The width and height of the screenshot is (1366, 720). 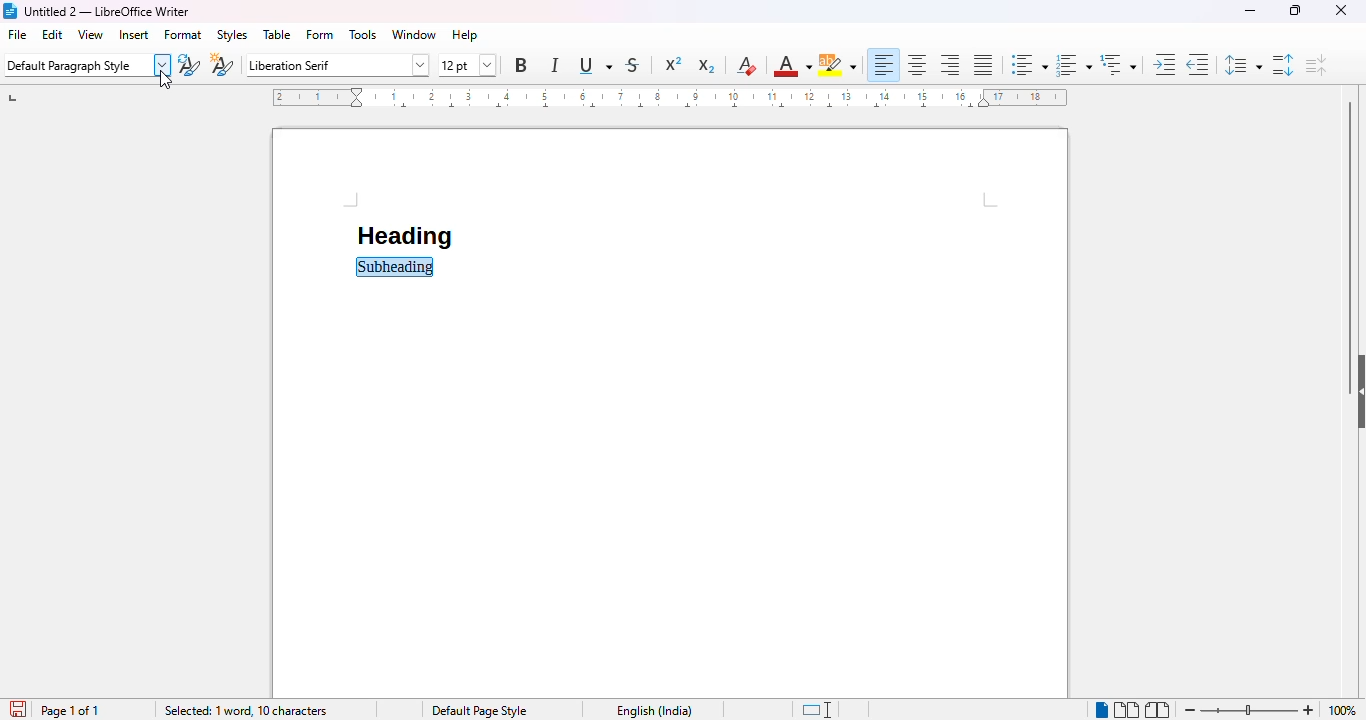 What do you see at coordinates (655, 710) in the screenshot?
I see `text language` at bounding box center [655, 710].